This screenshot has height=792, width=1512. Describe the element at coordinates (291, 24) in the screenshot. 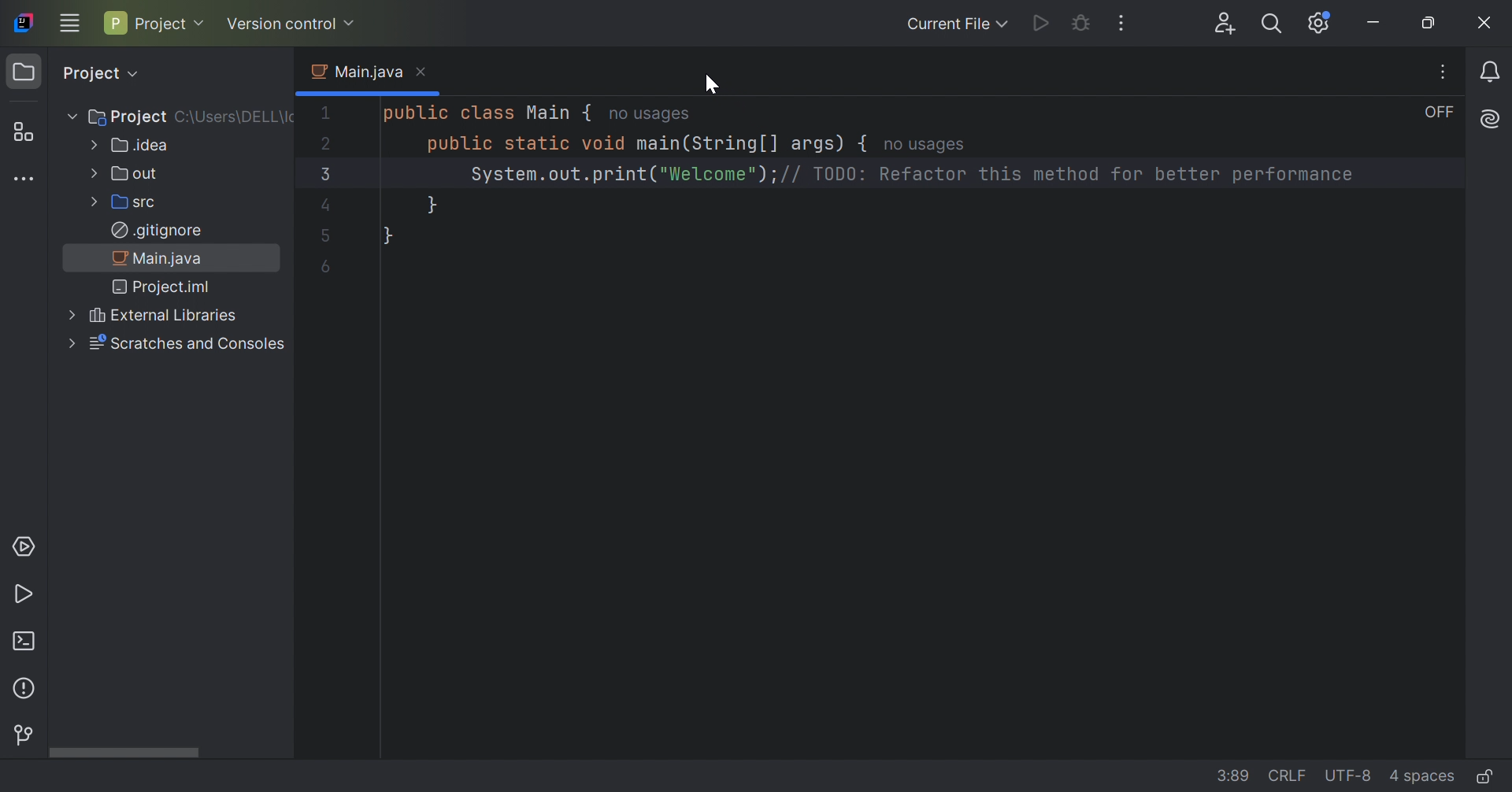

I see `Version control` at that location.